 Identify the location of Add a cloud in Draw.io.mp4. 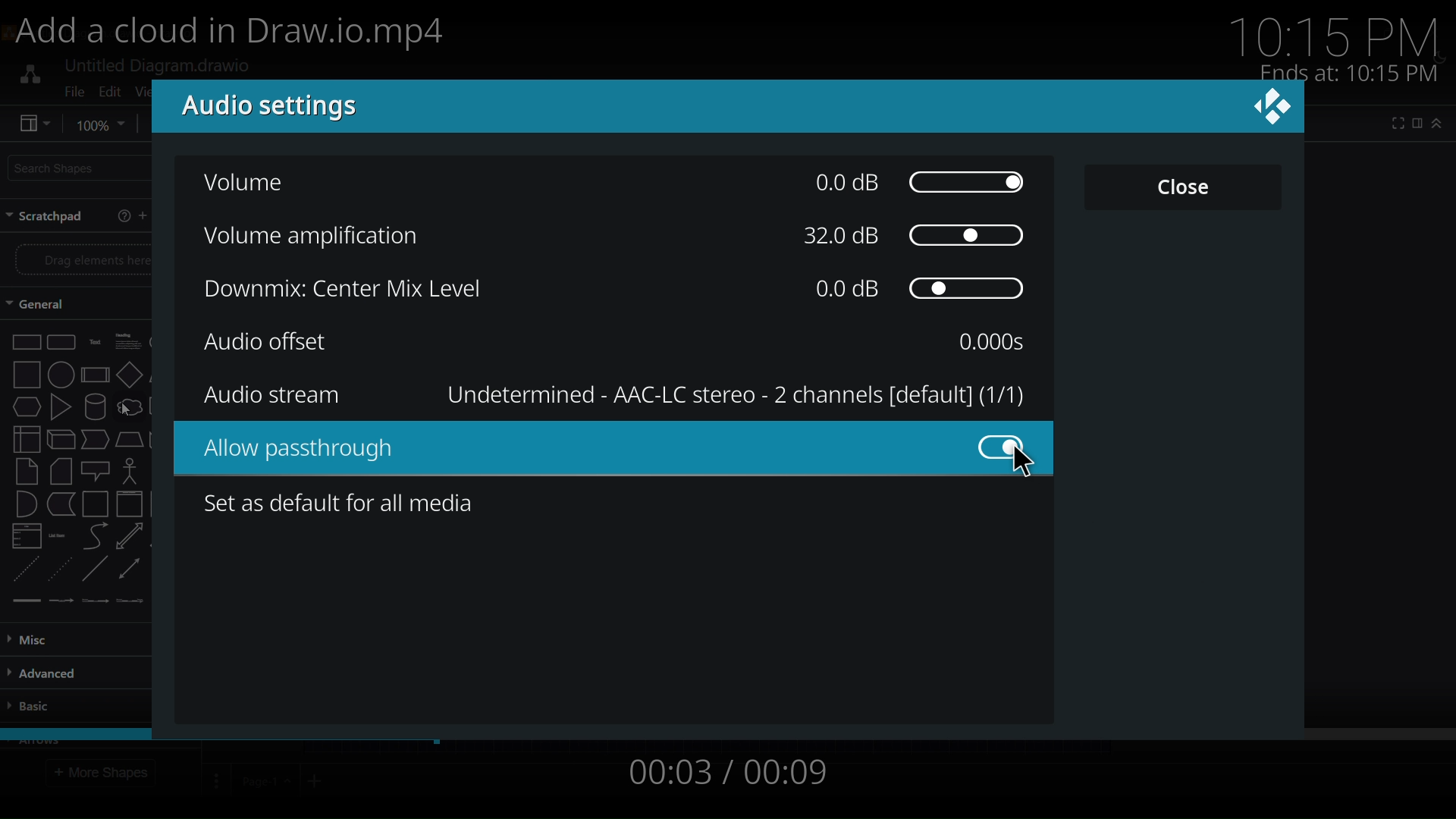
(240, 32).